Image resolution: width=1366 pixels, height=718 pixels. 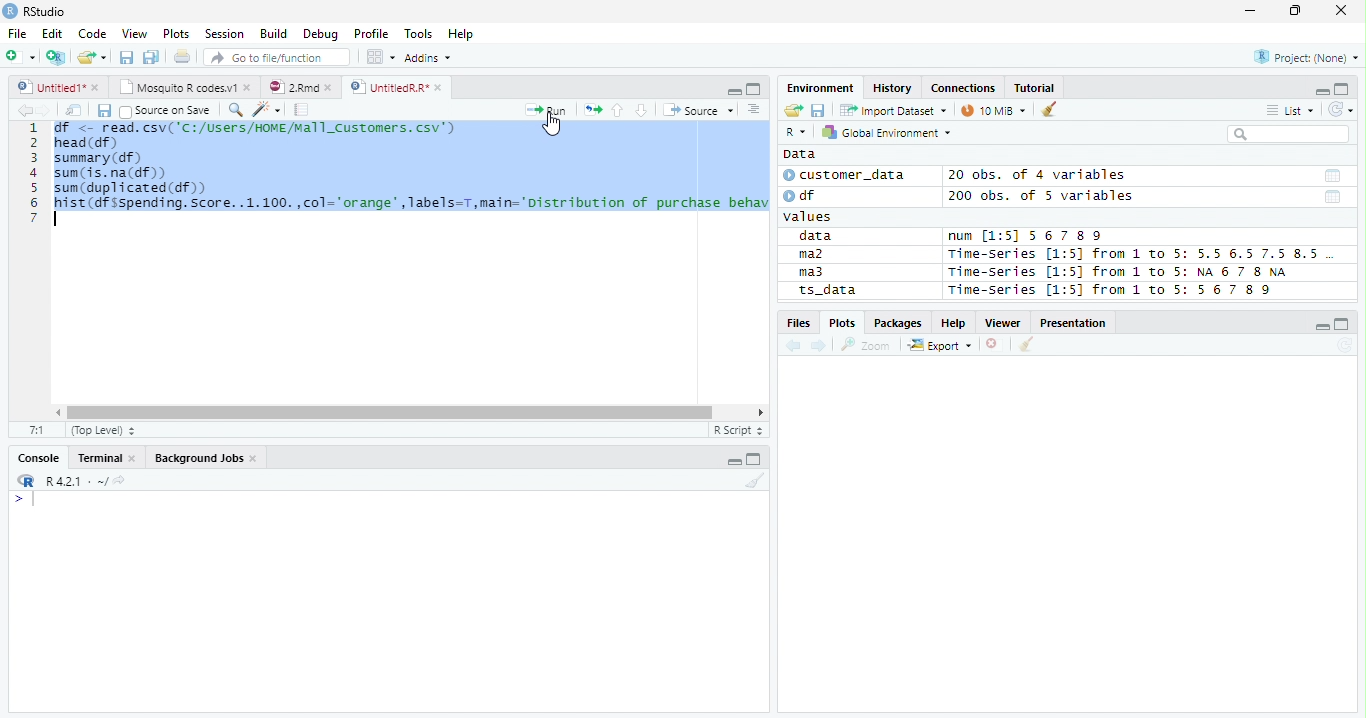 What do you see at coordinates (816, 256) in the screenshot?
I see `ma2` at bounding box center [816, 256].